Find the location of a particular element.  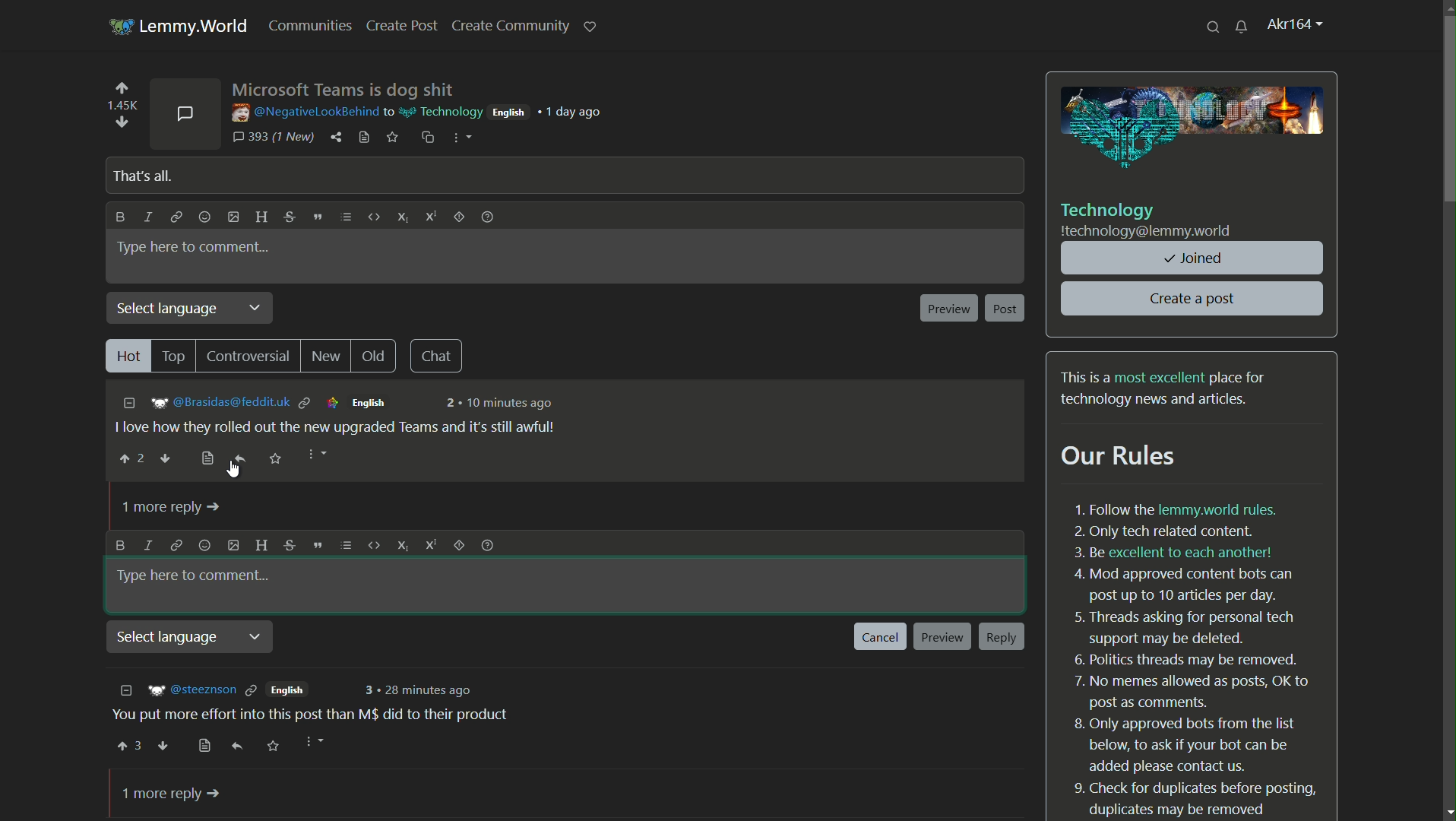

bold is located at coordinates (121, 544).